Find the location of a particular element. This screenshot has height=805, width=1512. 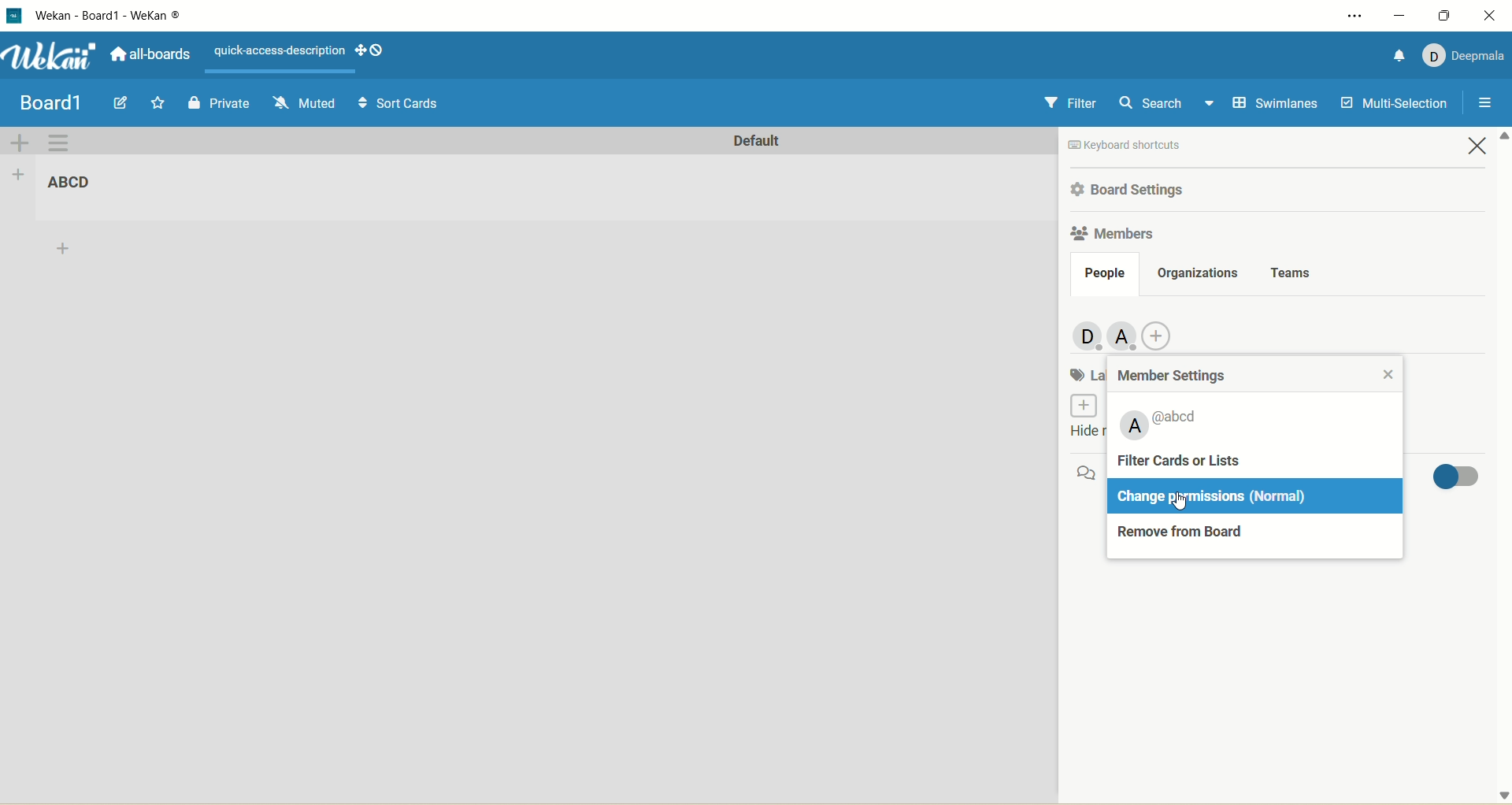

wekan is located at coordinates (52, 55).